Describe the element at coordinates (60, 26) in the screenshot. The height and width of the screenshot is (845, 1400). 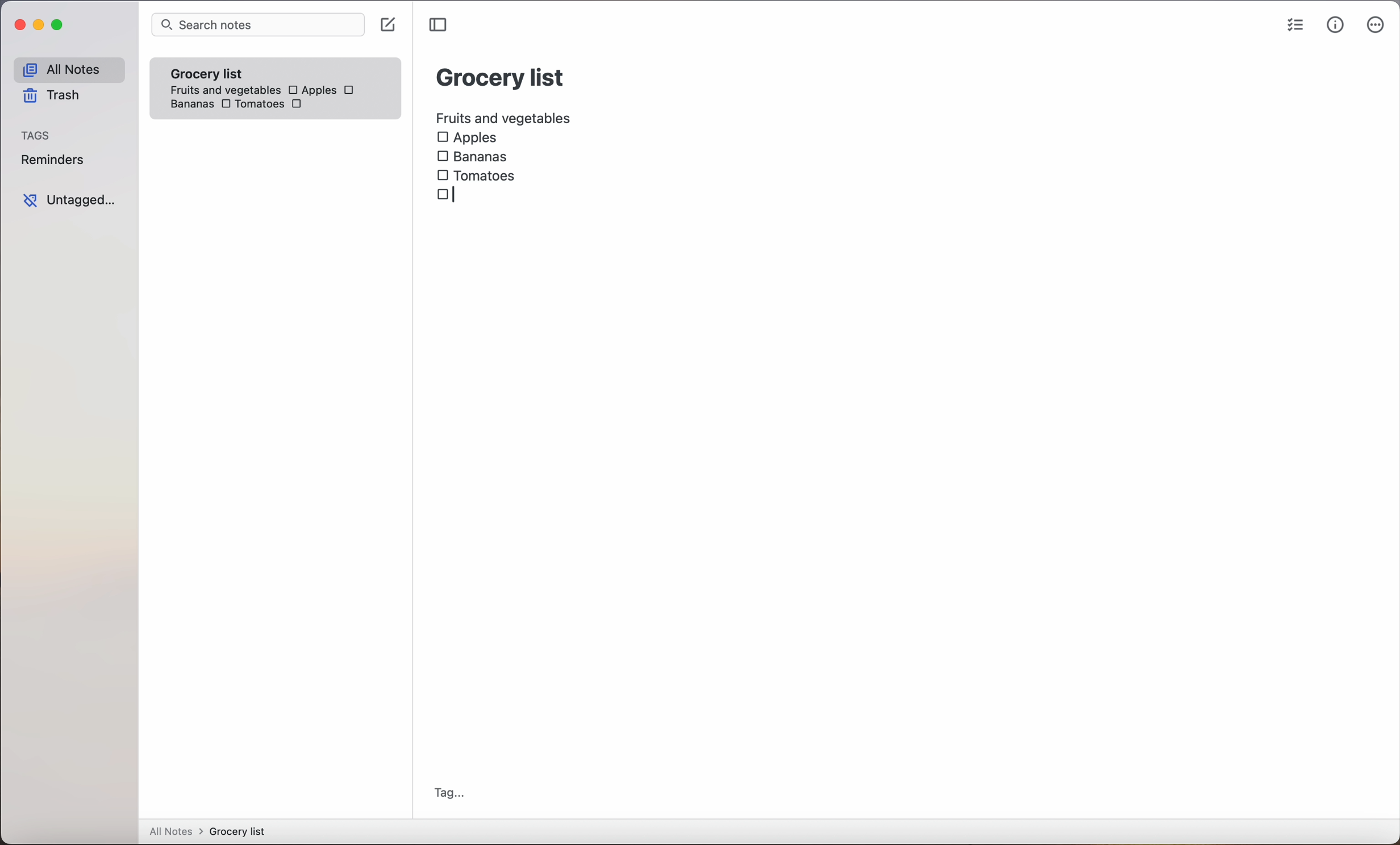
I see `maximize Simplenote` at that location.